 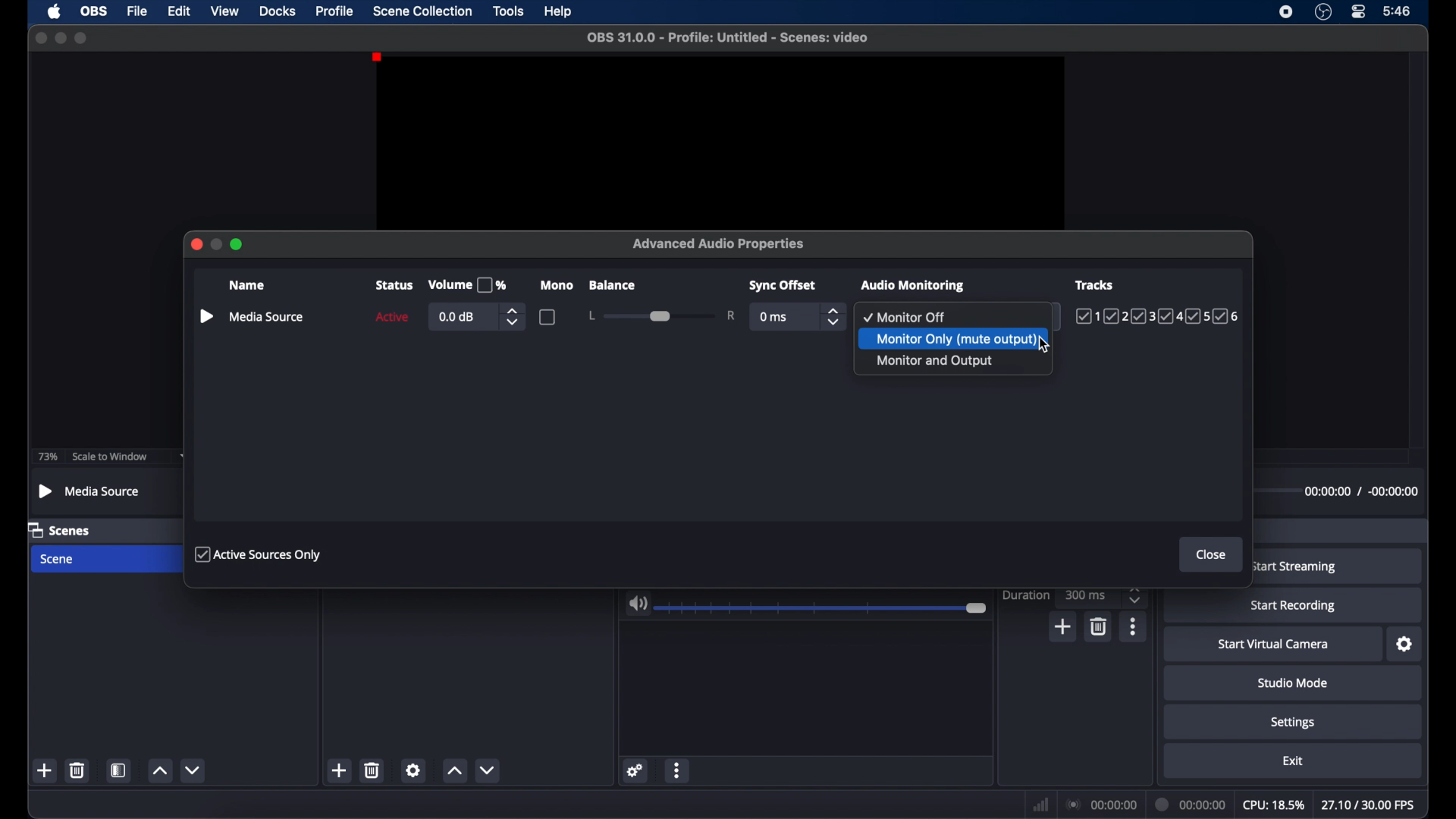 What do you see at coordinates (1273, 805) in the screenshot?
I see `cpu` at bounding box center [1273, 805].